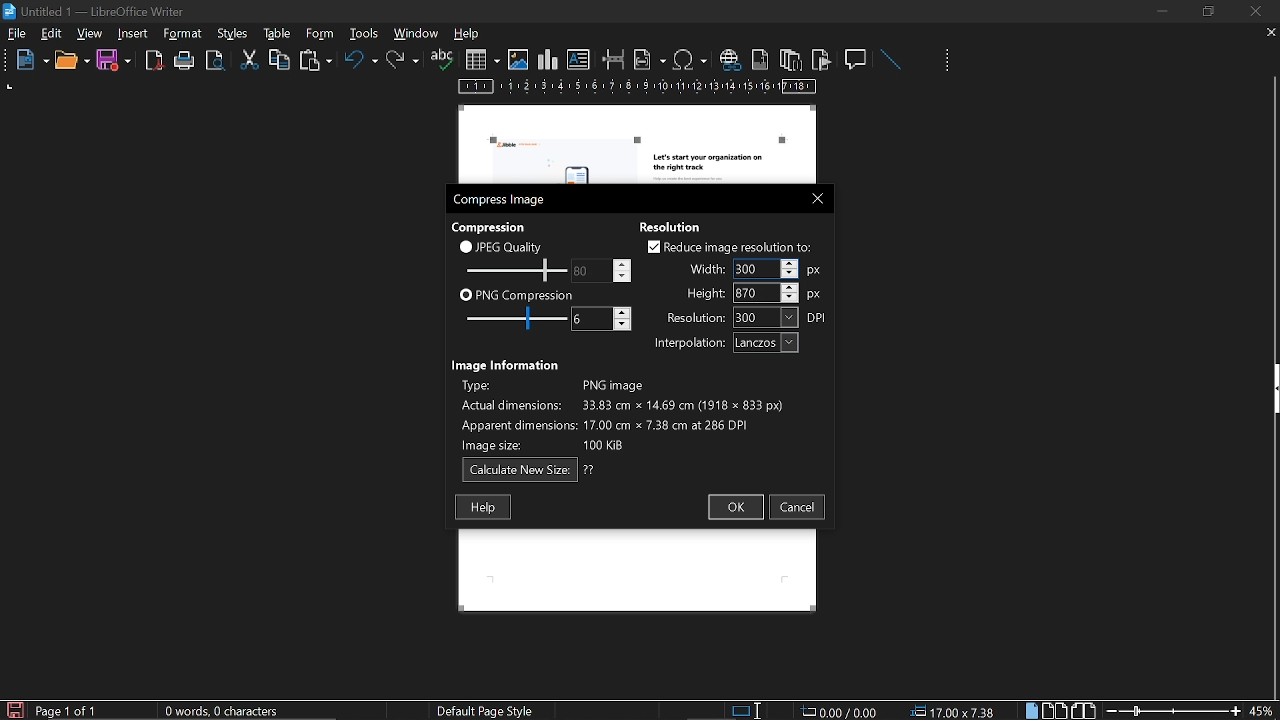 This screenshot has width=1280, height=720. I want to click on change zoom, so click(1173, 710).